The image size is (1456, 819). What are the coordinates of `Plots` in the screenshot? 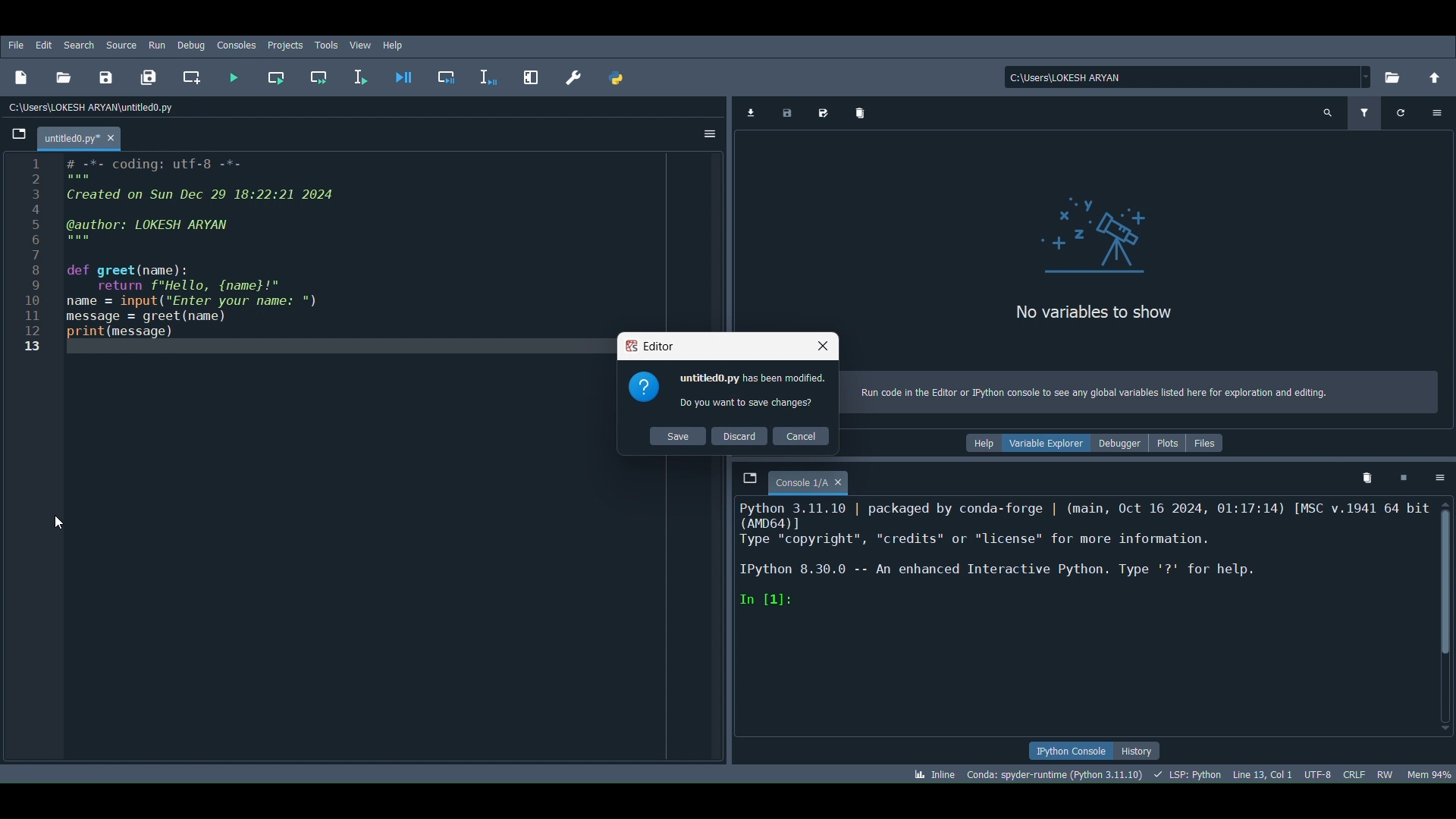 It's located at (1165, 442).